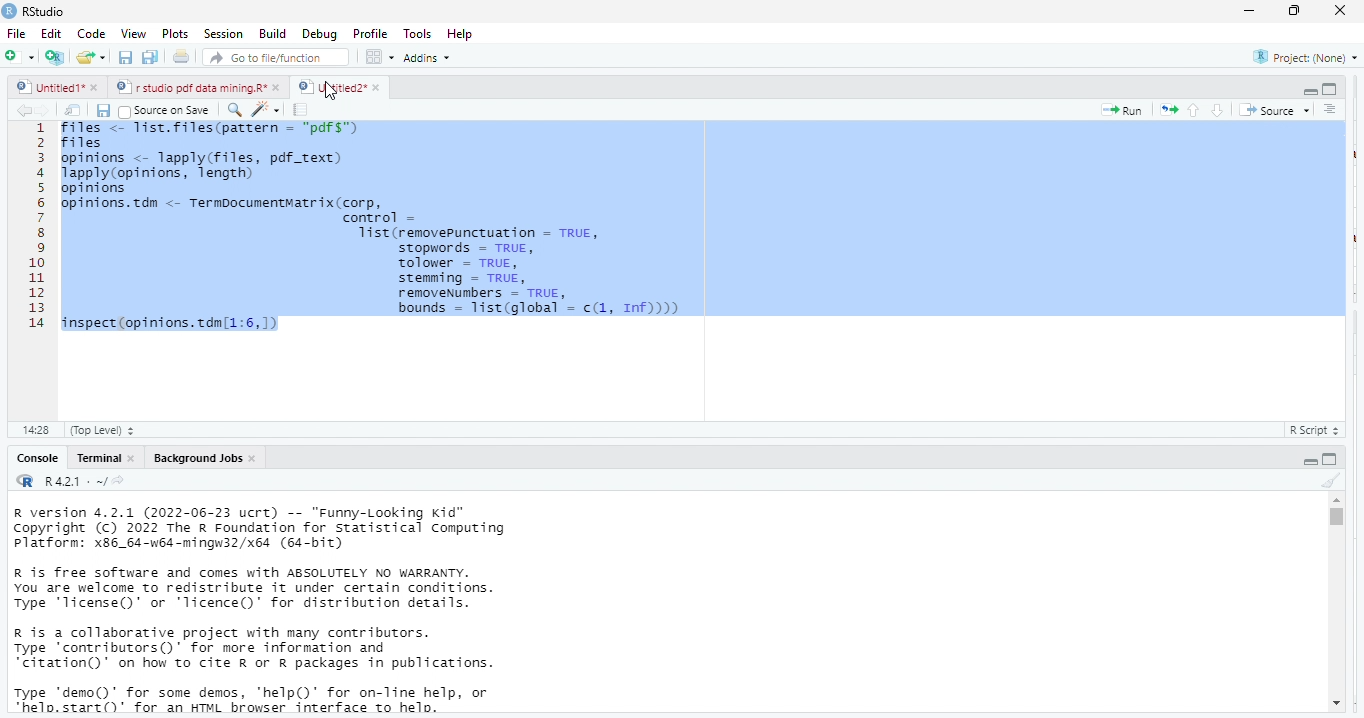 The width and height of the screenshot is (1364, 718). I want to click on hide r script, so click(1310, 92).